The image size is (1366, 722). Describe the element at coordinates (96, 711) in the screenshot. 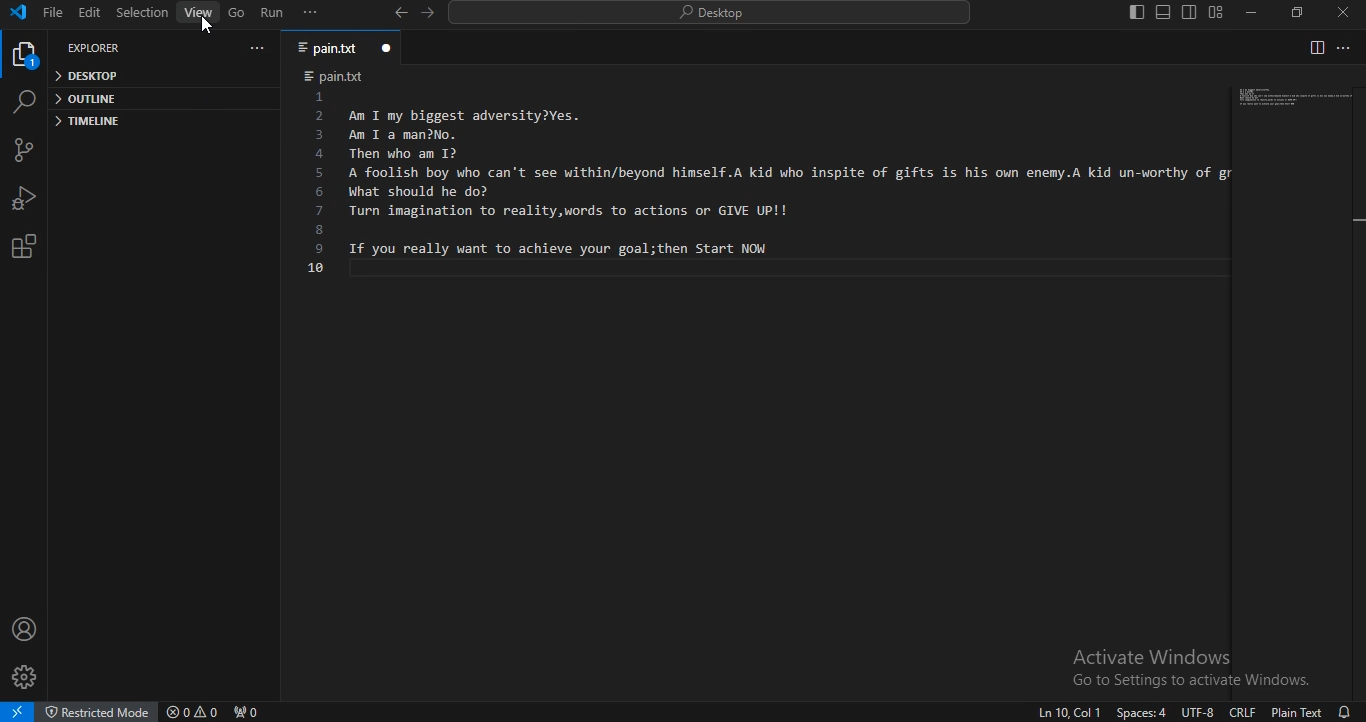

I see `restricted mode` at that location.